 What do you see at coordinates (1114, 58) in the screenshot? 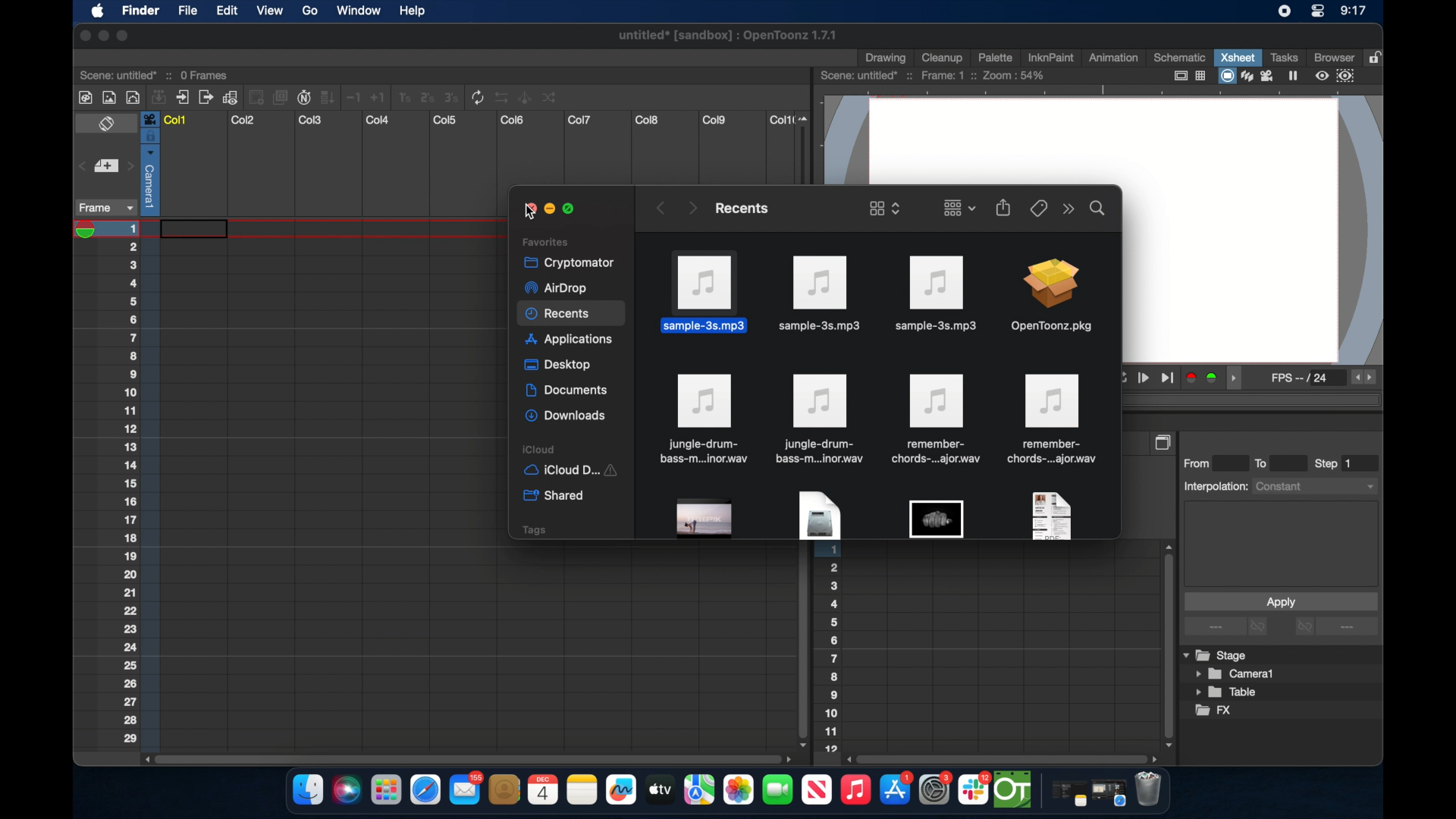
I see `animation` at bounding box center [1114, 58].